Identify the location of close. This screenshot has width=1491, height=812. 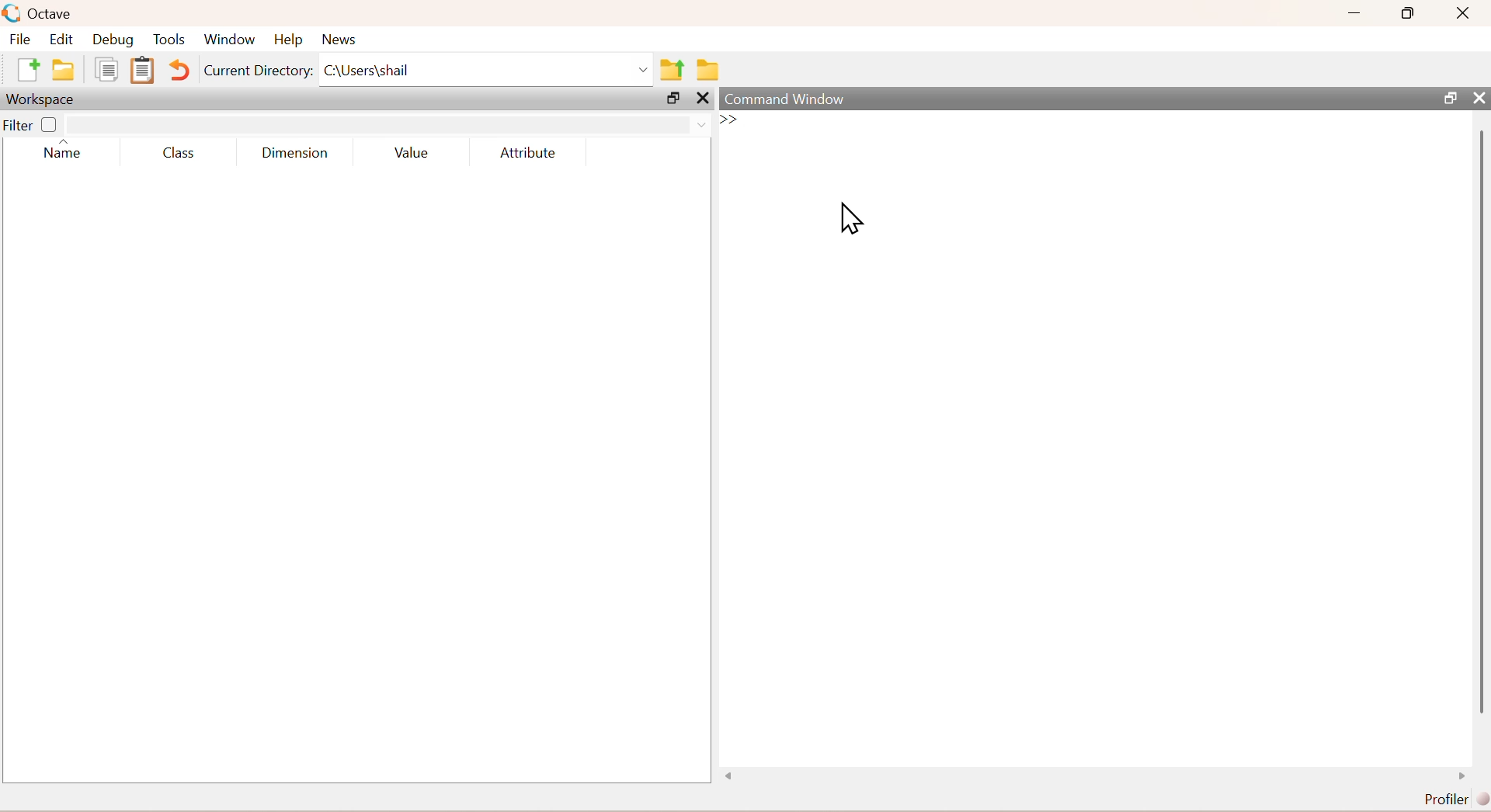
(705, 98).